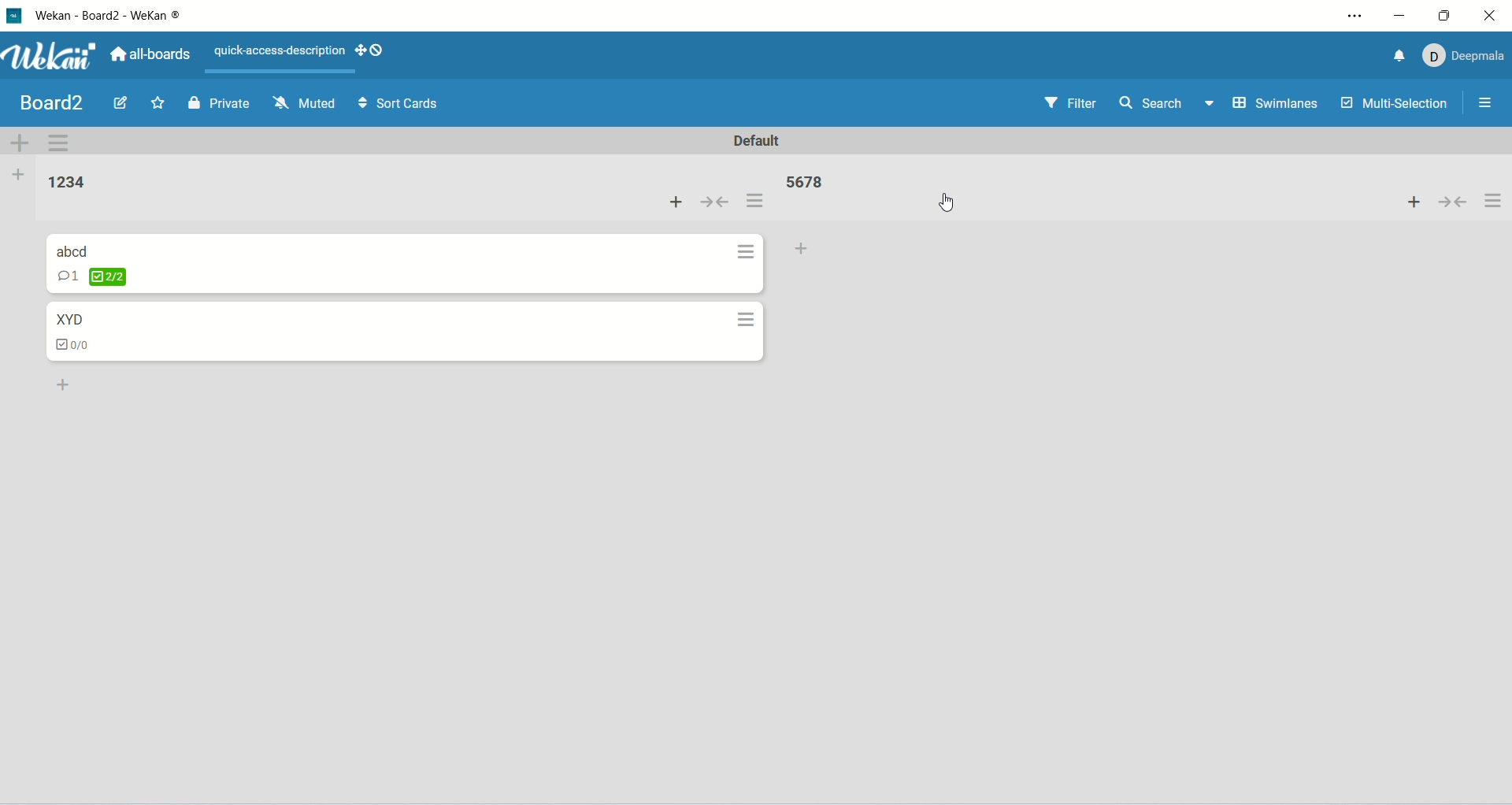 The image size is (1512, 805). Describe the element at coordinates (762, 143) in the screenshot. I see `default` at that location.